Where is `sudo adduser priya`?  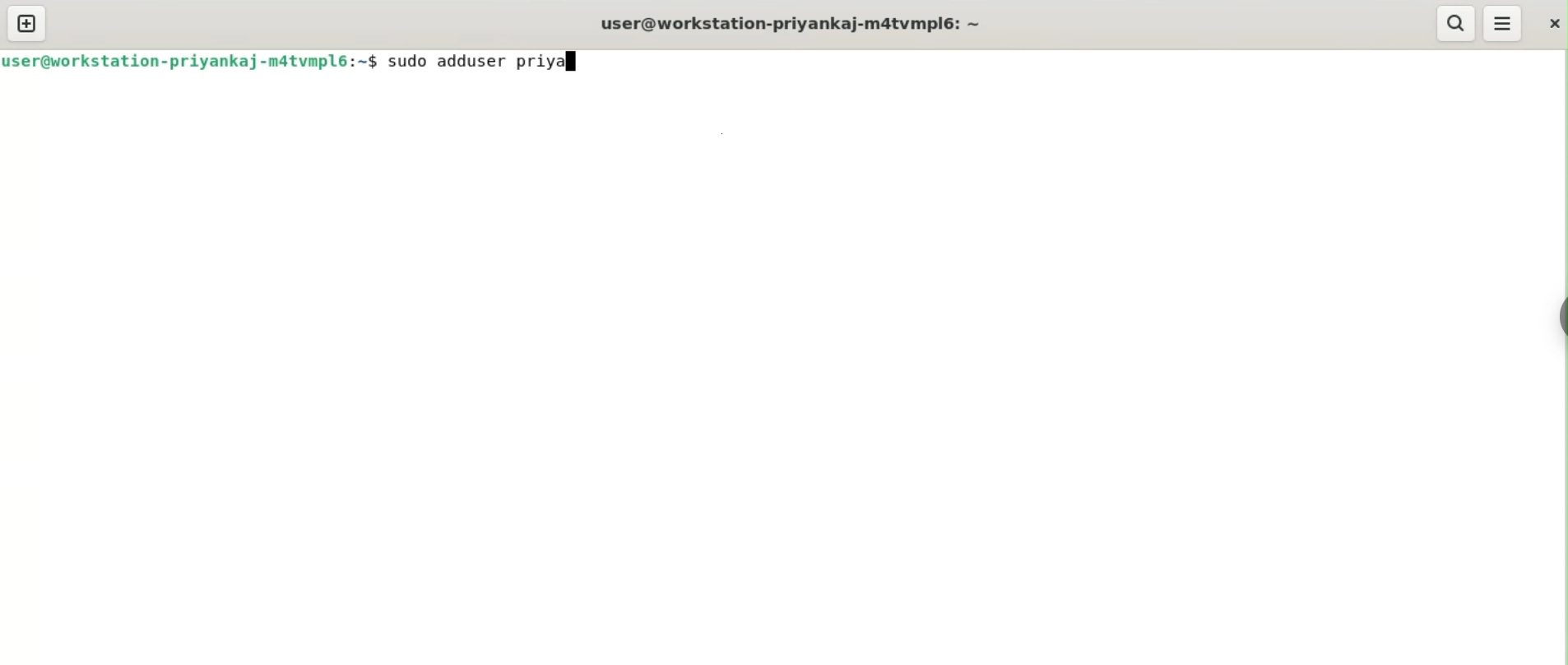 sudo adduser priya is located at coordinates (480, 61).